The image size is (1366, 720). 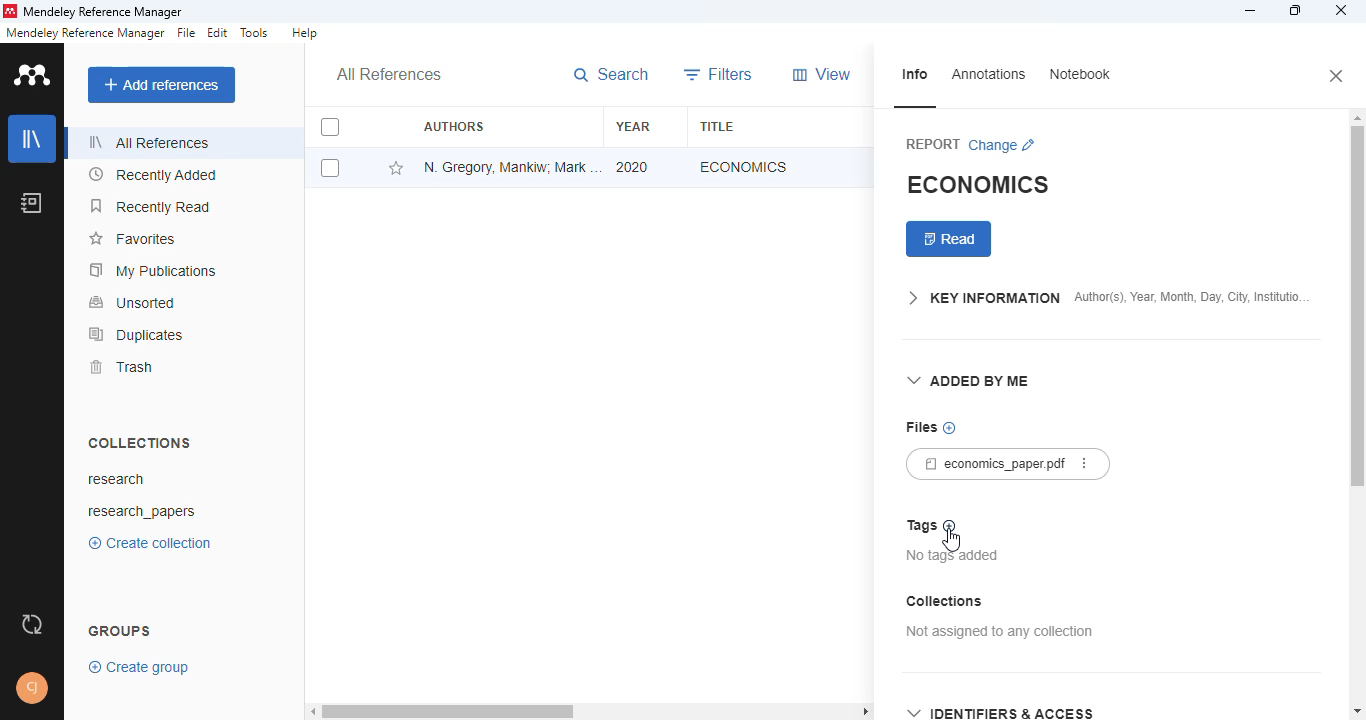 What do you see at coordinates (633, 166) in the screenshot?
I see `2020` at bounding box center [633, 166].